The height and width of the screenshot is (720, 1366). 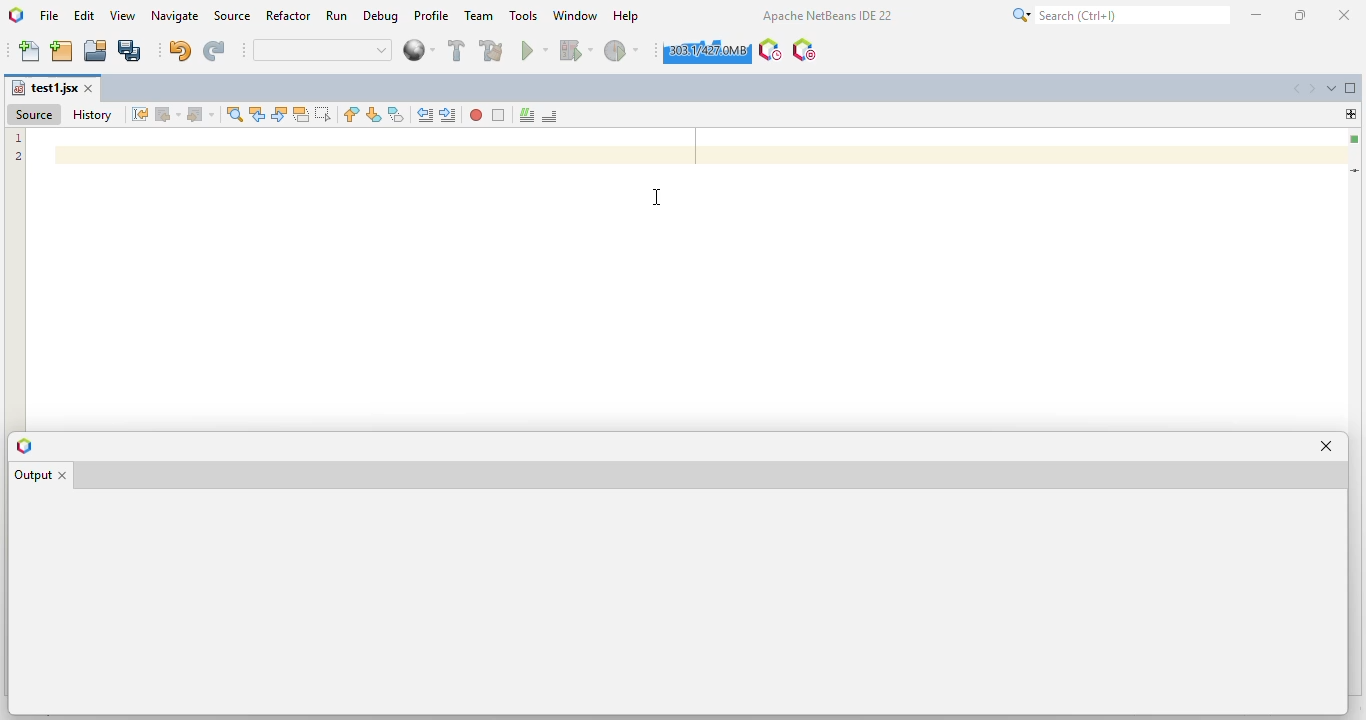 I want to click on web browser, so click(x=418, y=50).